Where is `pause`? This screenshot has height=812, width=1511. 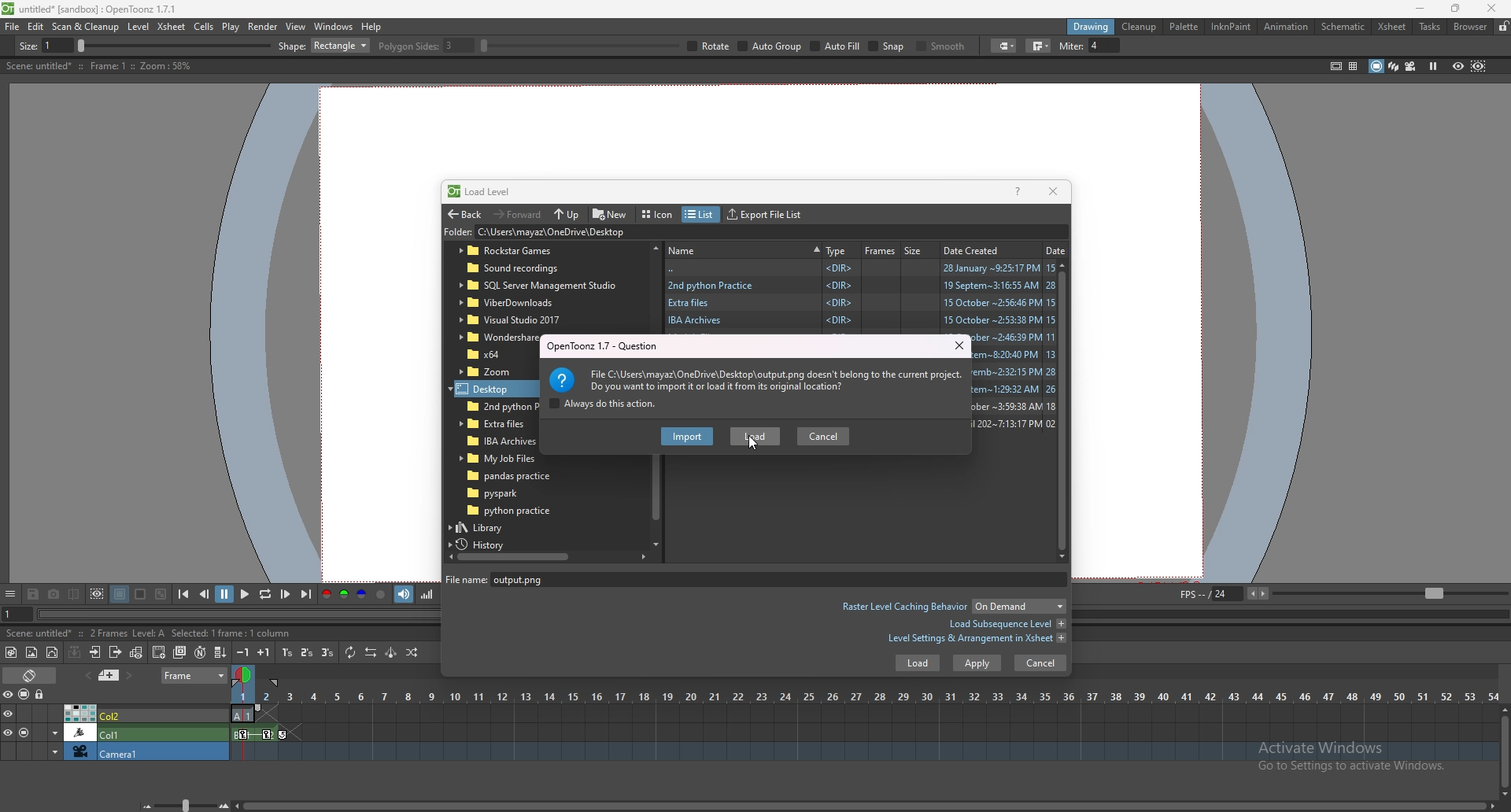 pause is located at coordinates (224, 594).